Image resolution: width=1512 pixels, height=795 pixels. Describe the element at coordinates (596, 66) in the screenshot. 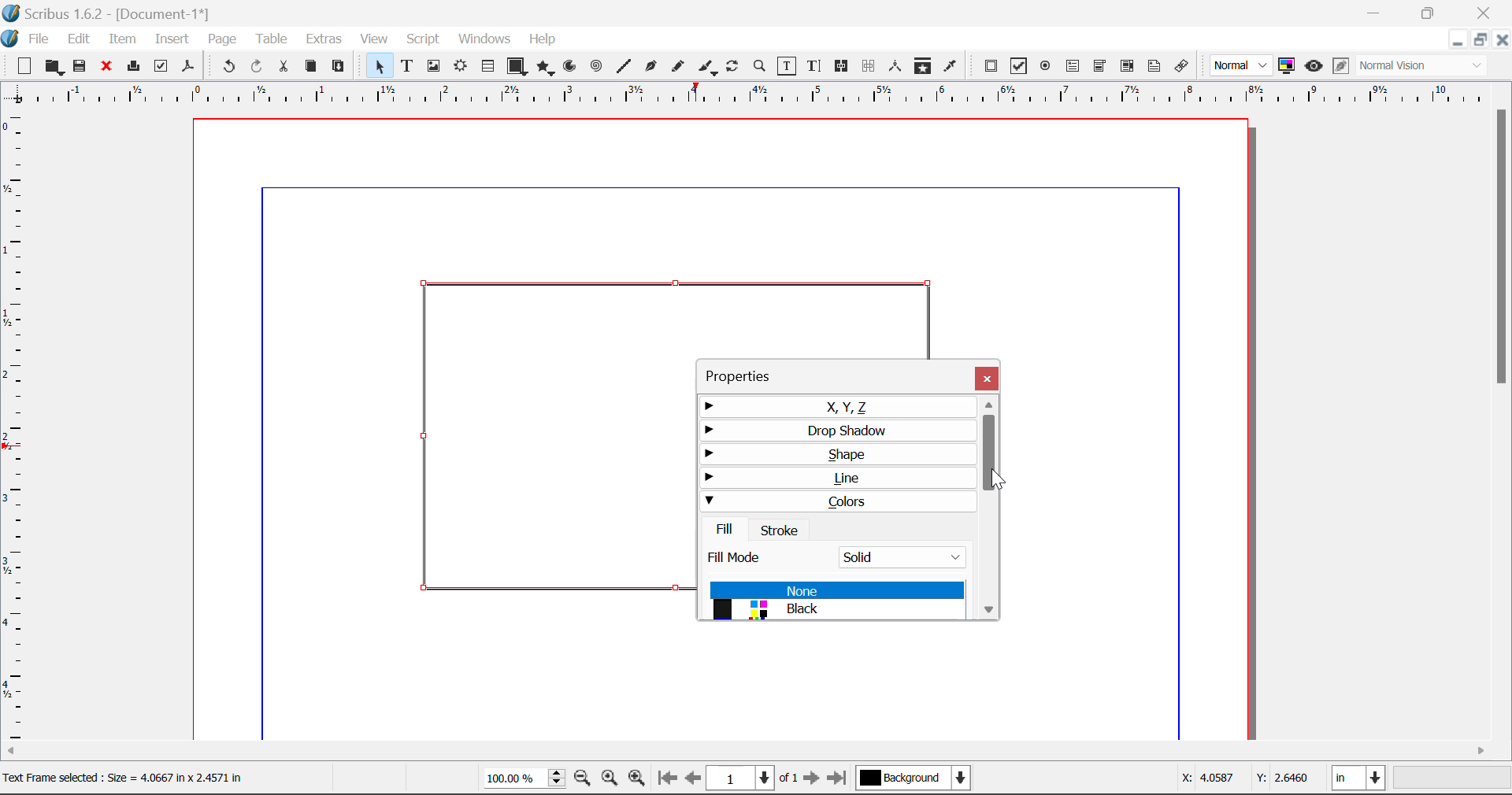

I see `Spiral` at that location.